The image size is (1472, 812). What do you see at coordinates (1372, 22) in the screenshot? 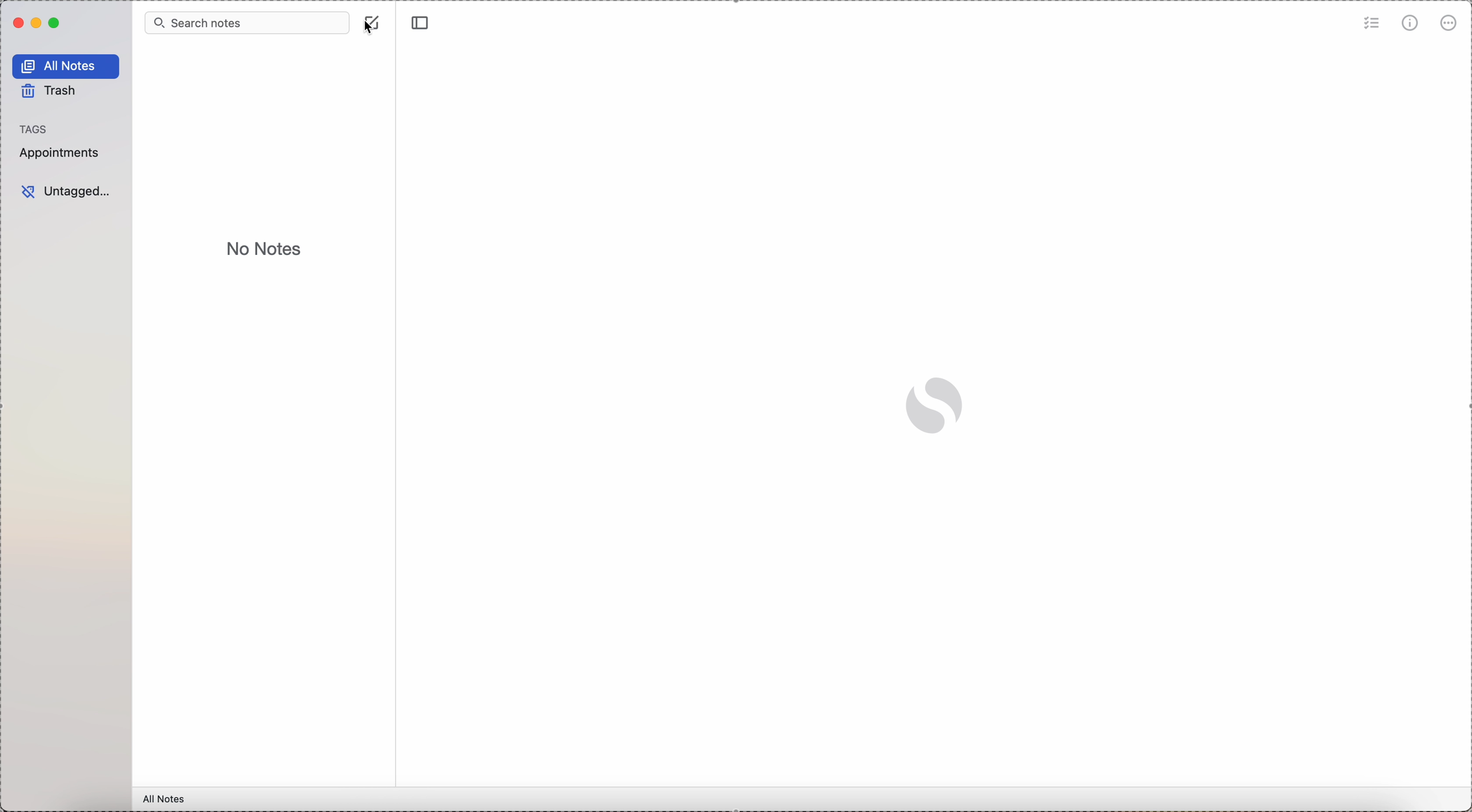
I see `check list` at bounding box center [1372, 22].